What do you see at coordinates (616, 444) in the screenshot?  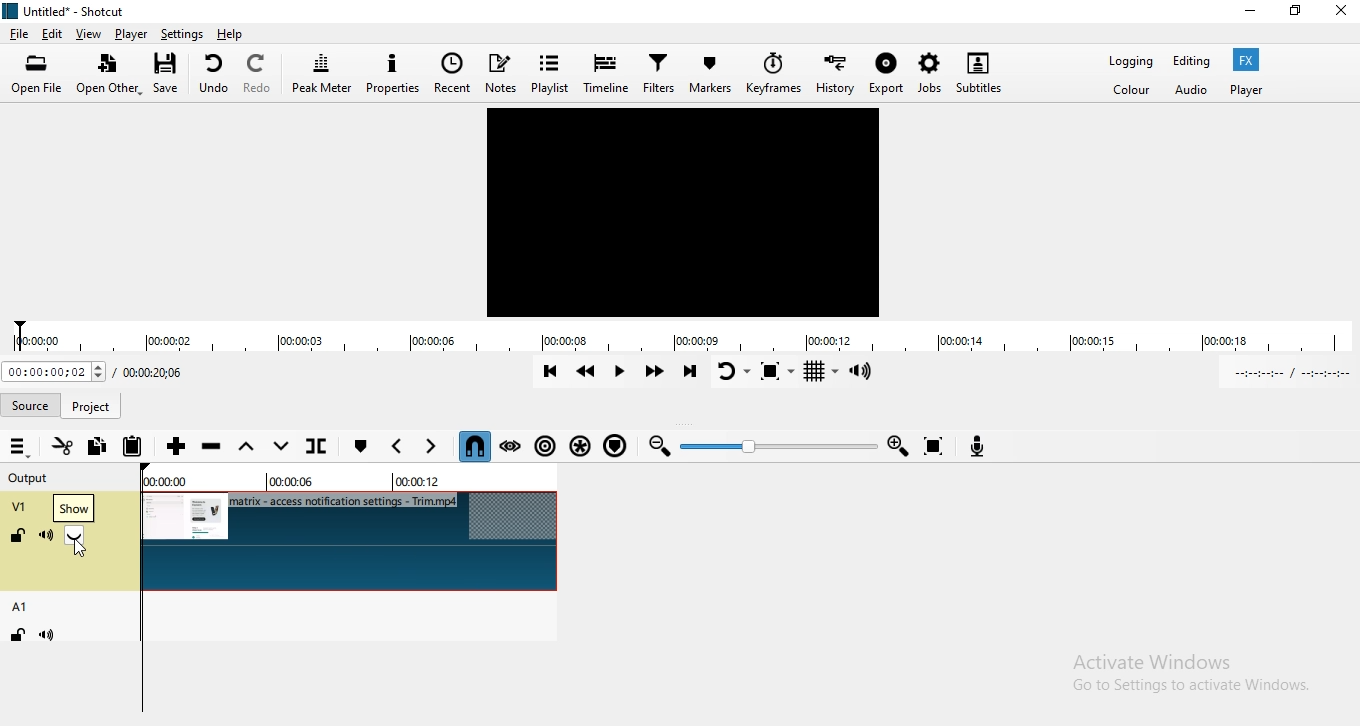 I see `Ripple markers` at bounding box center [616, 444].